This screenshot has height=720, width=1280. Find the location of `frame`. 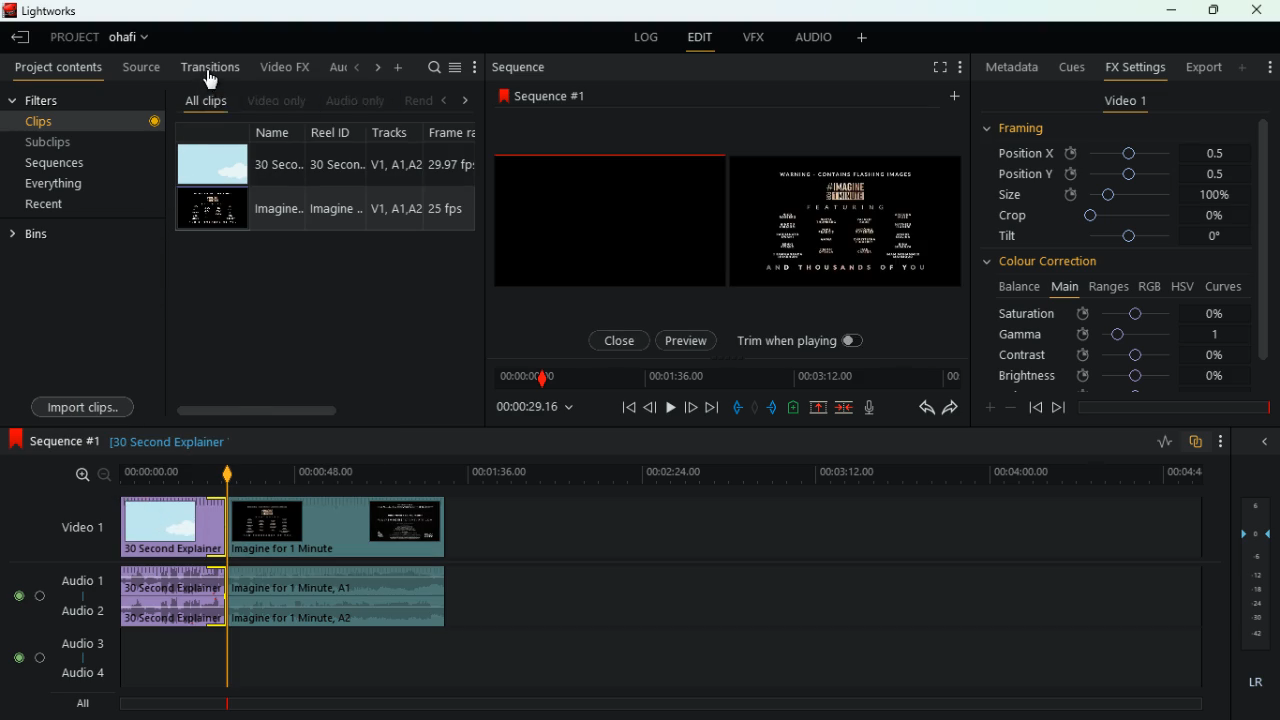

frame is located at coordinates (450, 177).